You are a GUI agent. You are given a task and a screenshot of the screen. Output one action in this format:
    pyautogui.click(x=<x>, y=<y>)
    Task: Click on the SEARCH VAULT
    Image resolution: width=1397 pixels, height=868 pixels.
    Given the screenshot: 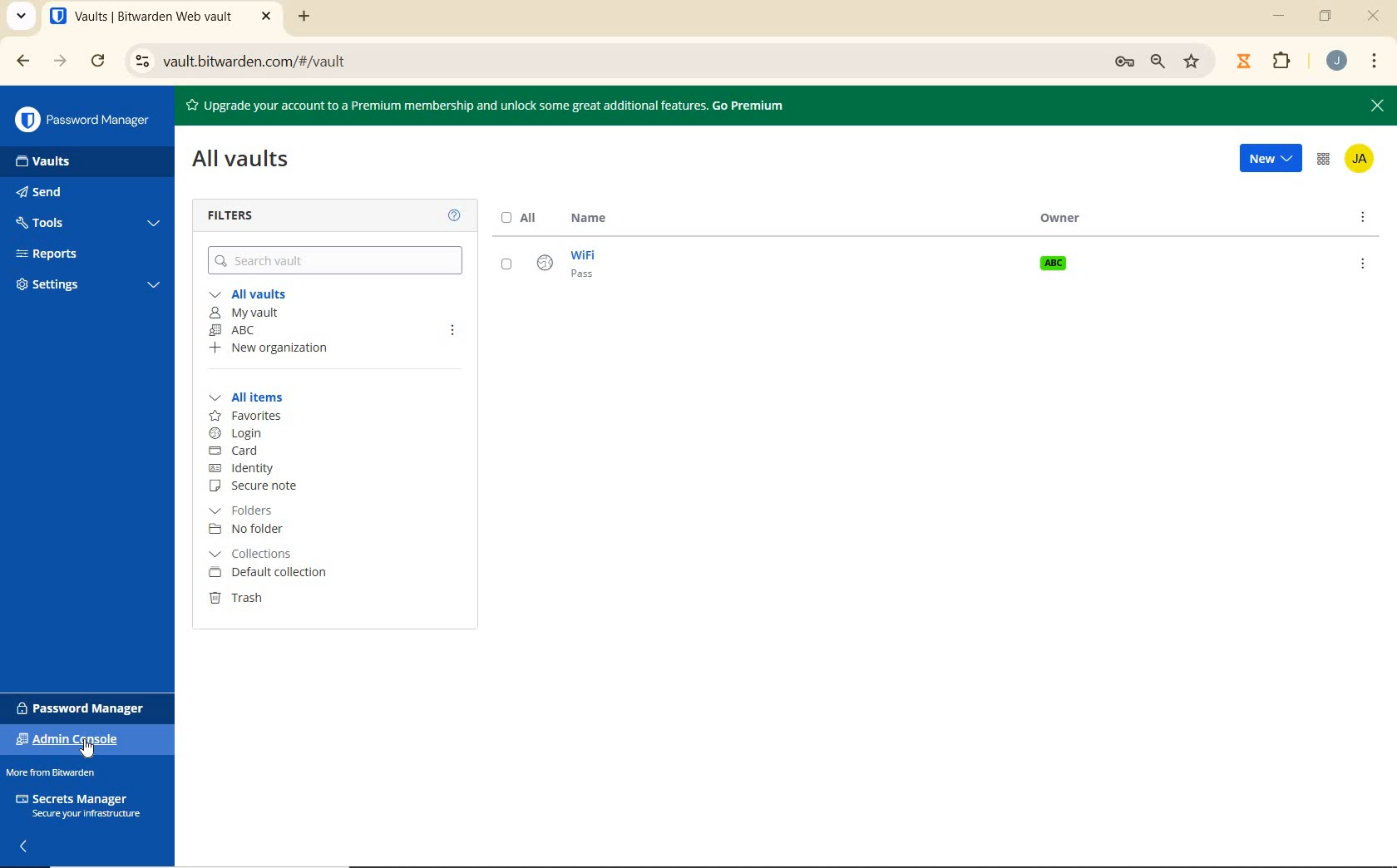 What is the action you would take?
    pyautogui.click(x=338, y=260)
    